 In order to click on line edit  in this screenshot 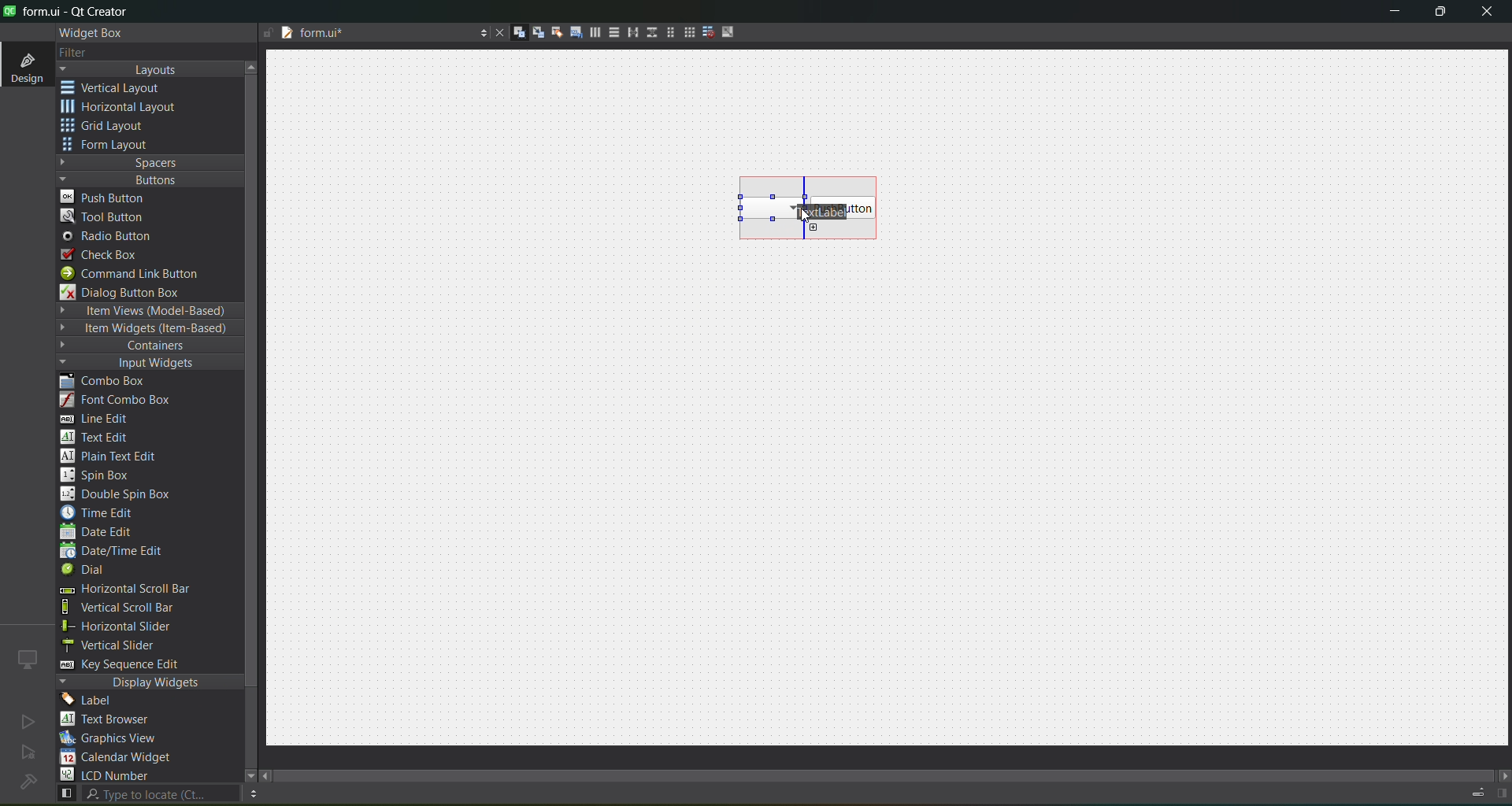, I will do `click(102, 419)`.